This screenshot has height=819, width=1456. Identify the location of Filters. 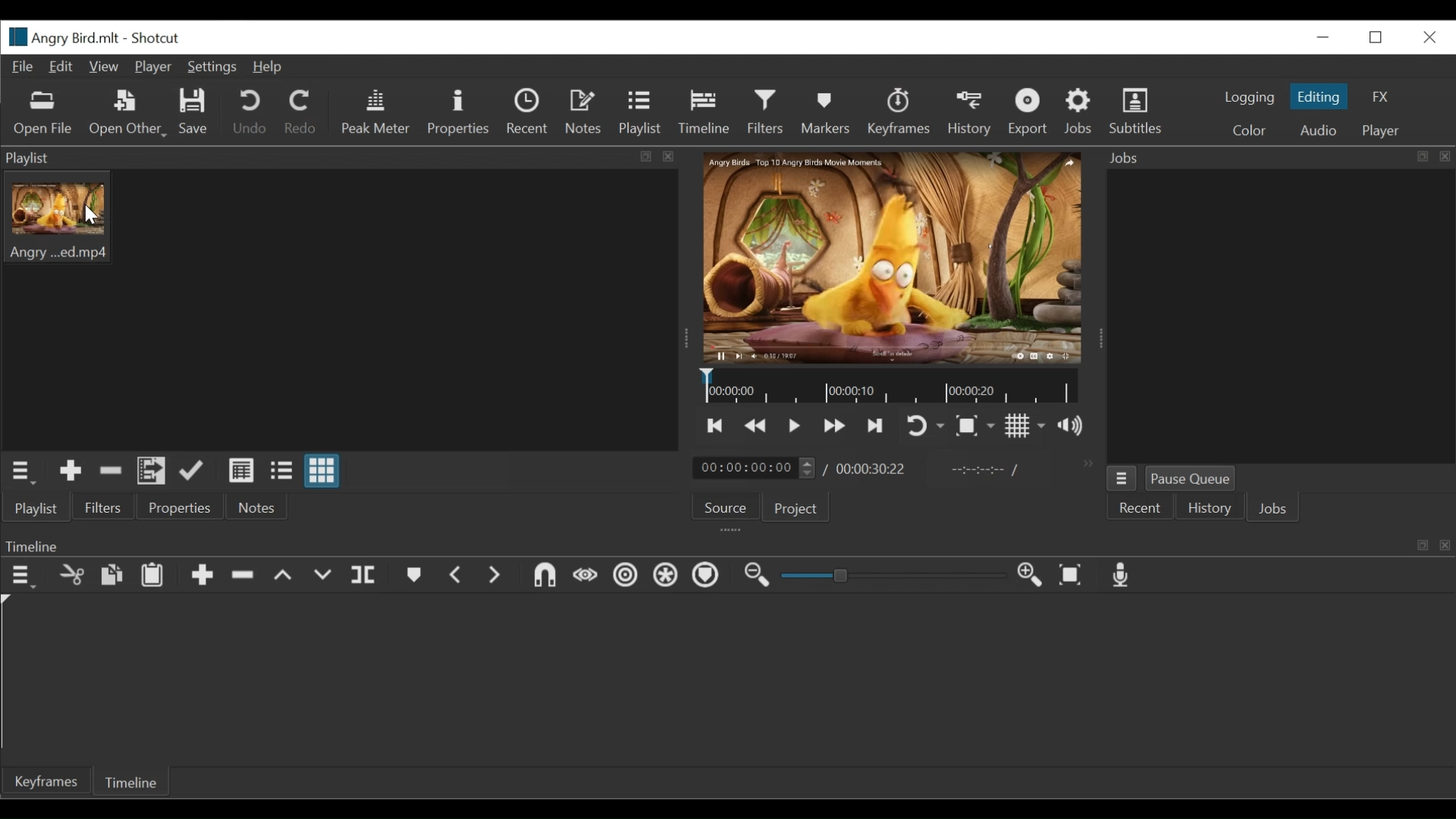
(101, 507).